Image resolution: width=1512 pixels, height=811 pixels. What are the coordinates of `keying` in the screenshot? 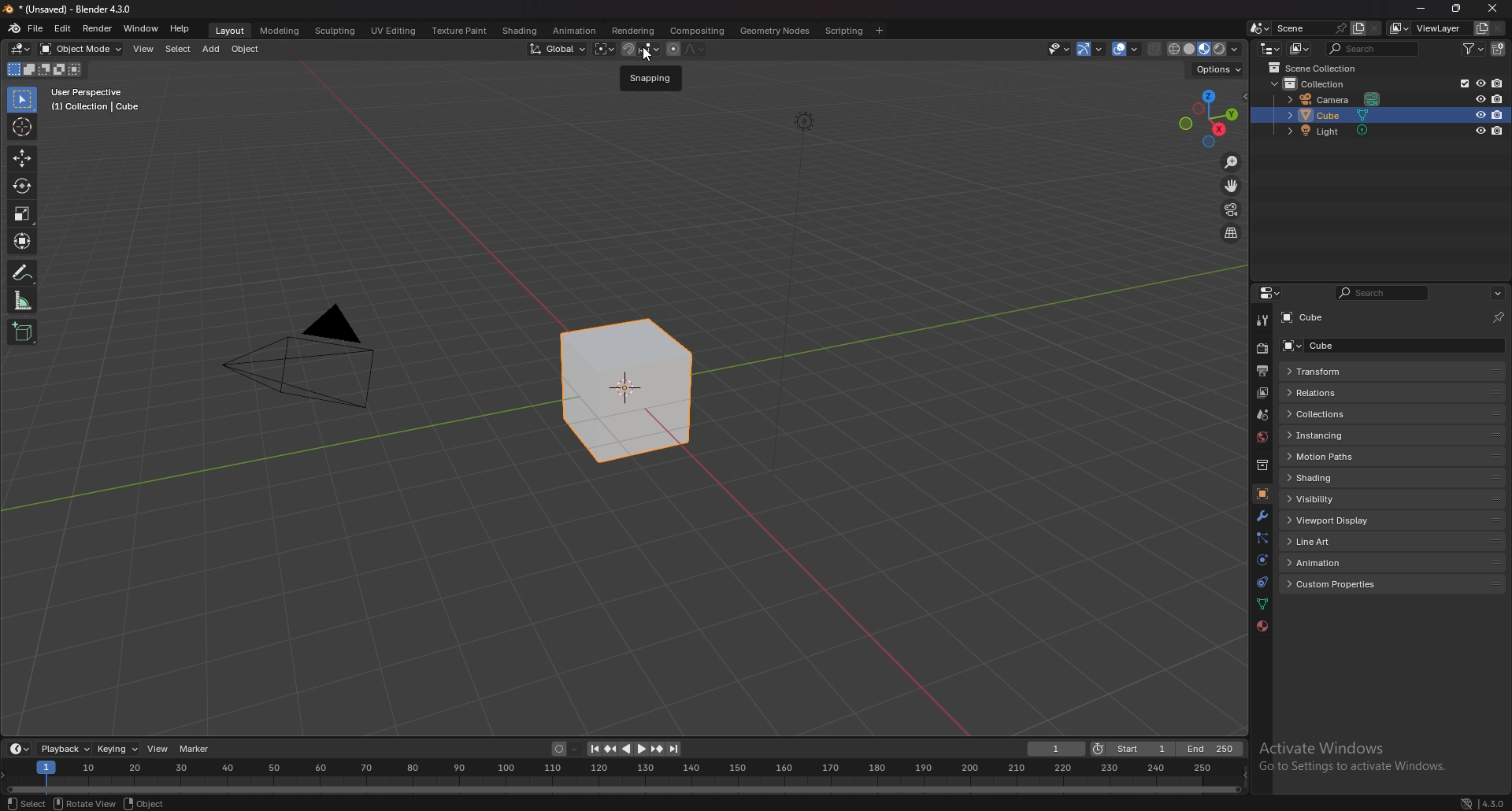 It's located at (117, 749).